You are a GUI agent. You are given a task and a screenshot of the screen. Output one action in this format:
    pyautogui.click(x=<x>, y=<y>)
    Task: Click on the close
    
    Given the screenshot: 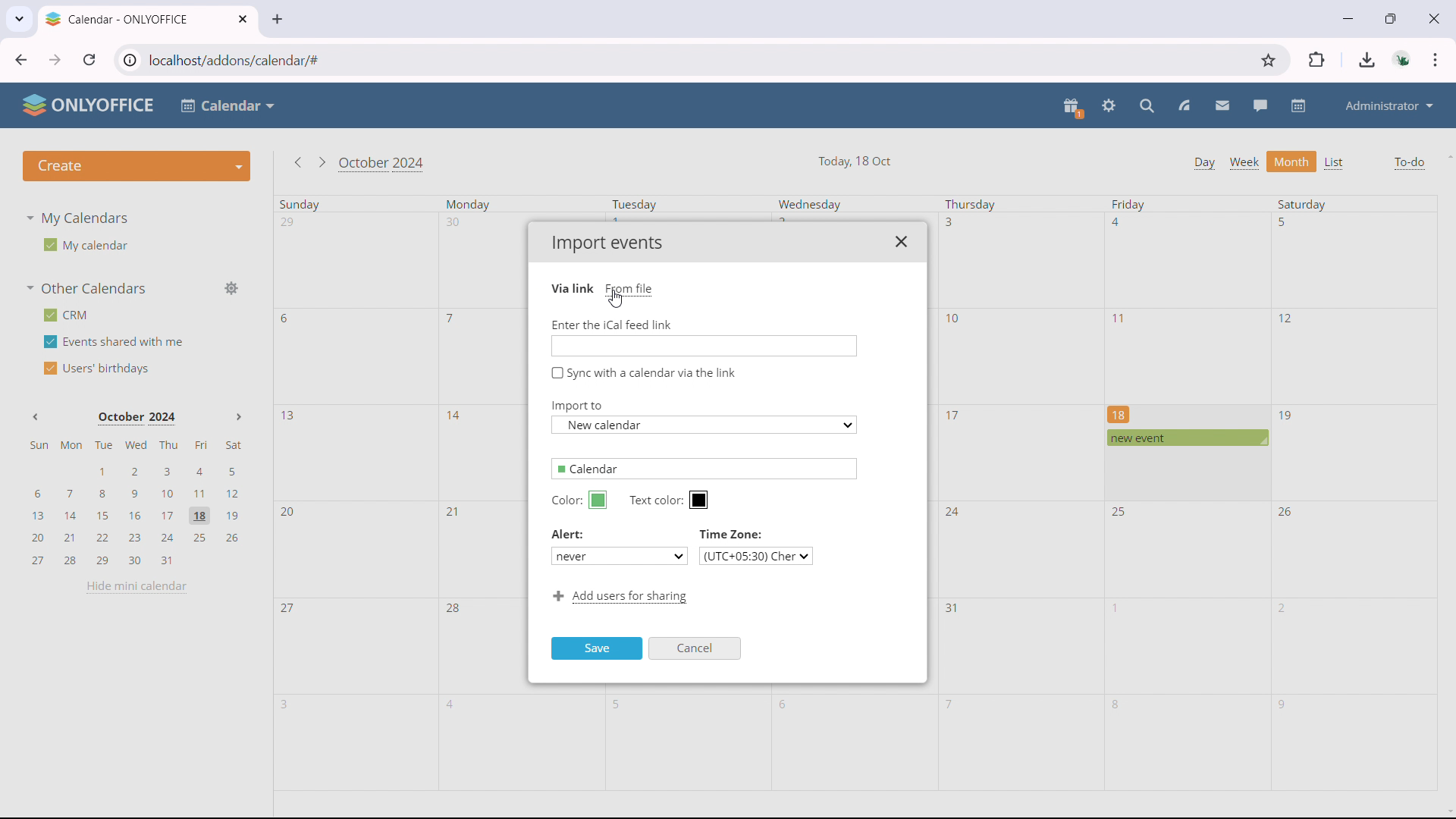 What is the action you would take?
    pyautogui.click(x=902, y=241)
    